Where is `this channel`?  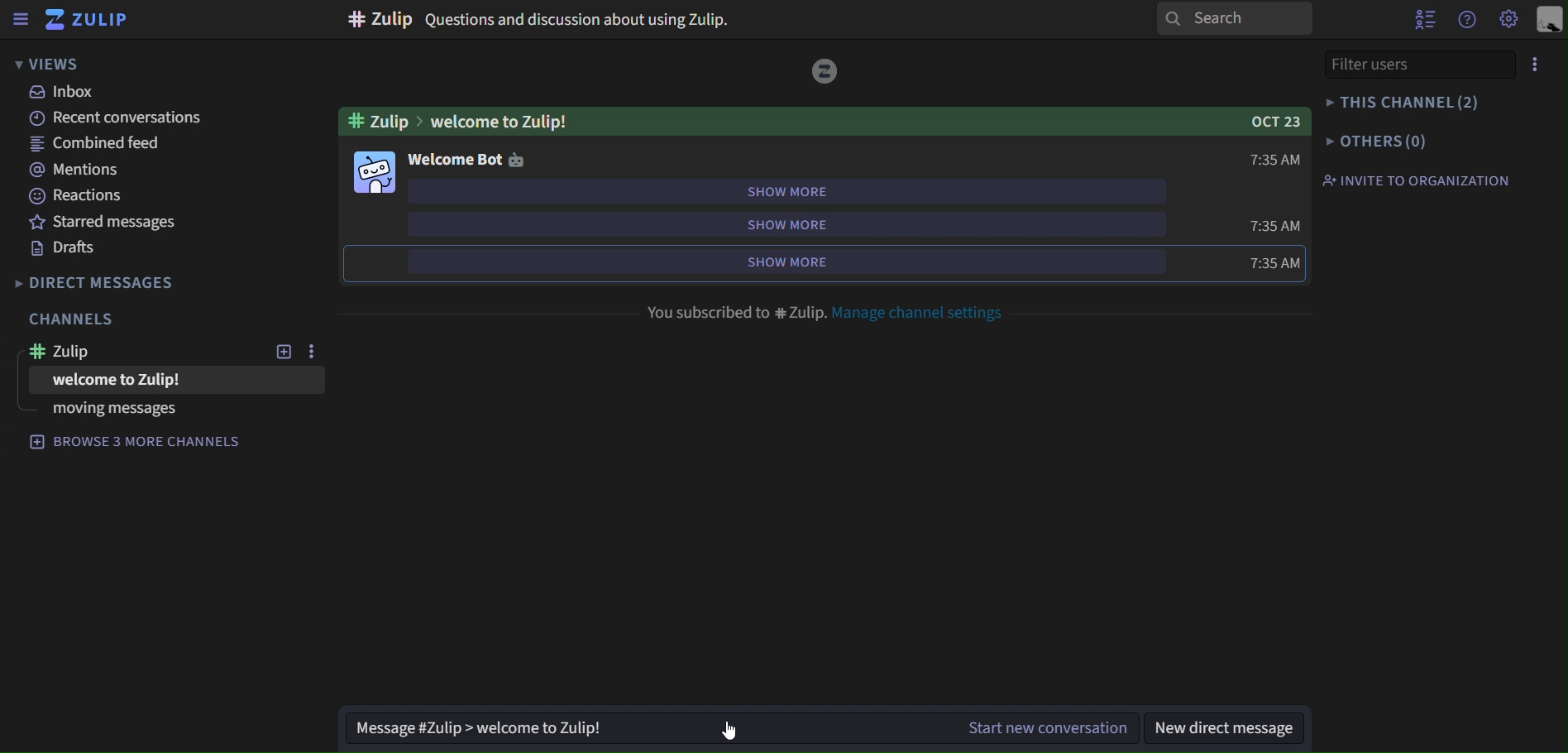 this channel is located at coordinates (1401, 101).